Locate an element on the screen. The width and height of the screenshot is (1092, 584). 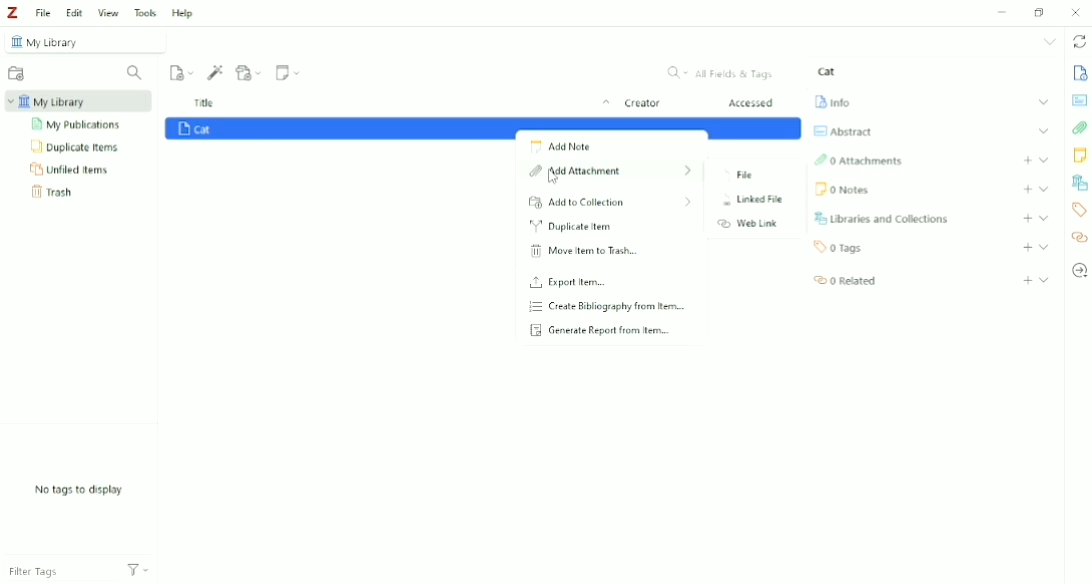
Export Item is located at coordinates (568, 282).